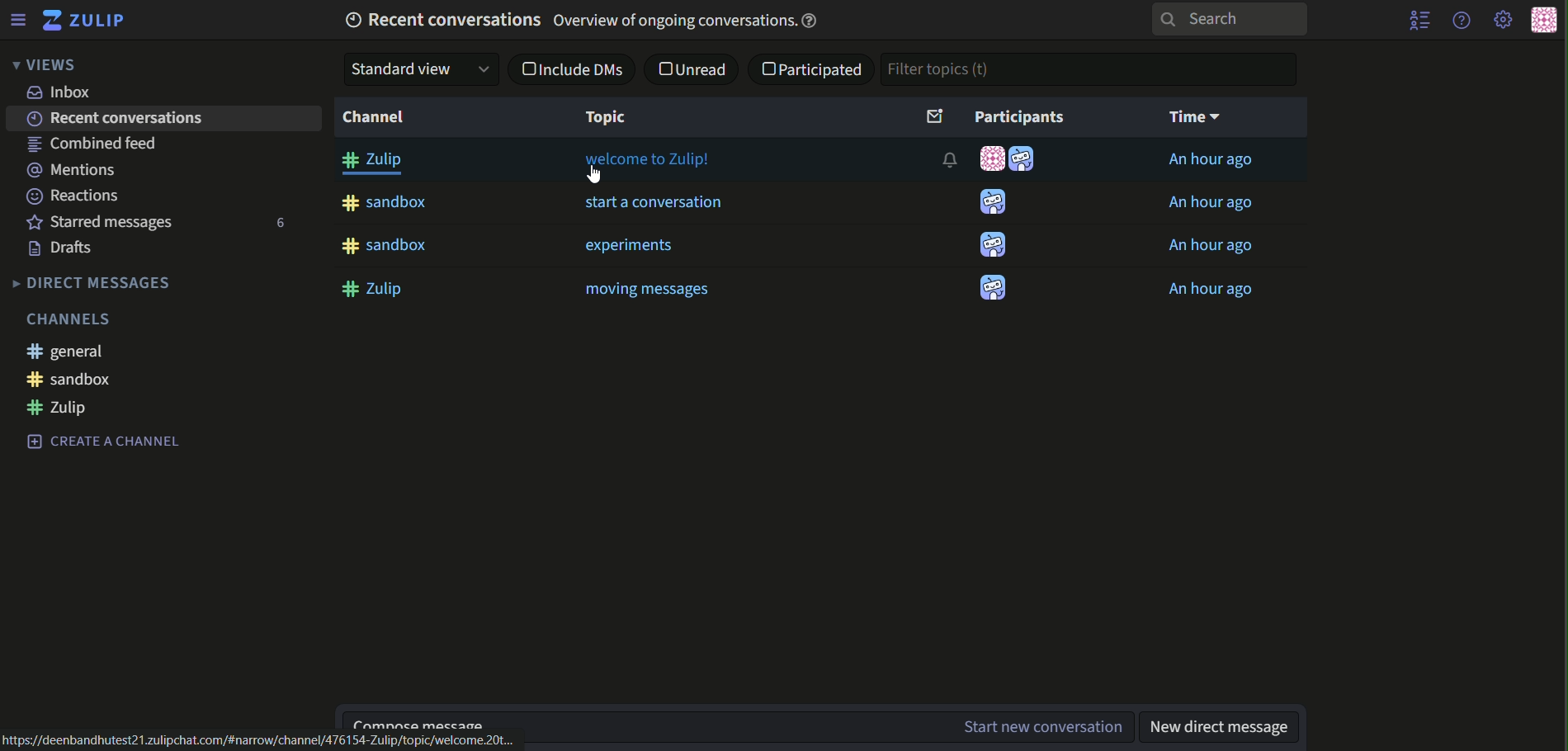 The width and height of the screenshot is (1568, 751). Describe the element at coordinates (100, 441) in the screenshot. I see `text` at that location.